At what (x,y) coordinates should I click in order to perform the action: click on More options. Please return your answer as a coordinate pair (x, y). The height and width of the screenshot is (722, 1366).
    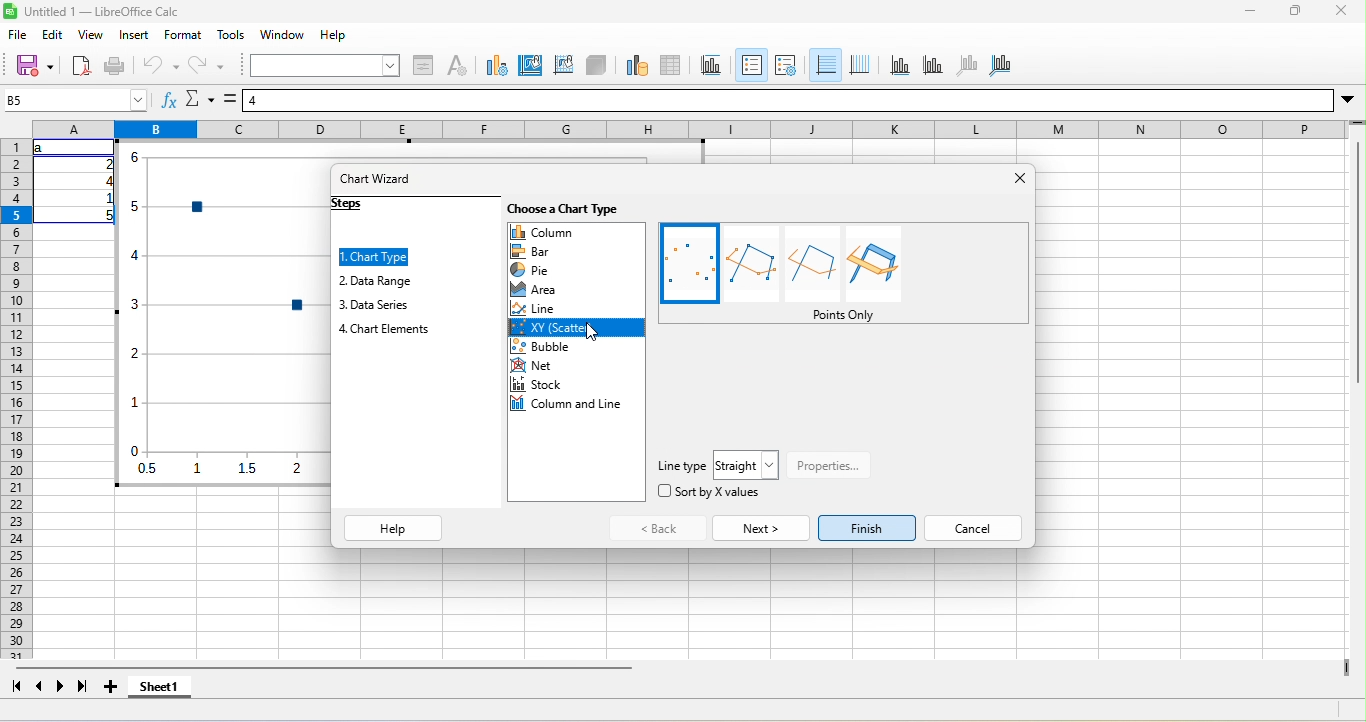
    Looking at the image, I should click on (1348, 101).